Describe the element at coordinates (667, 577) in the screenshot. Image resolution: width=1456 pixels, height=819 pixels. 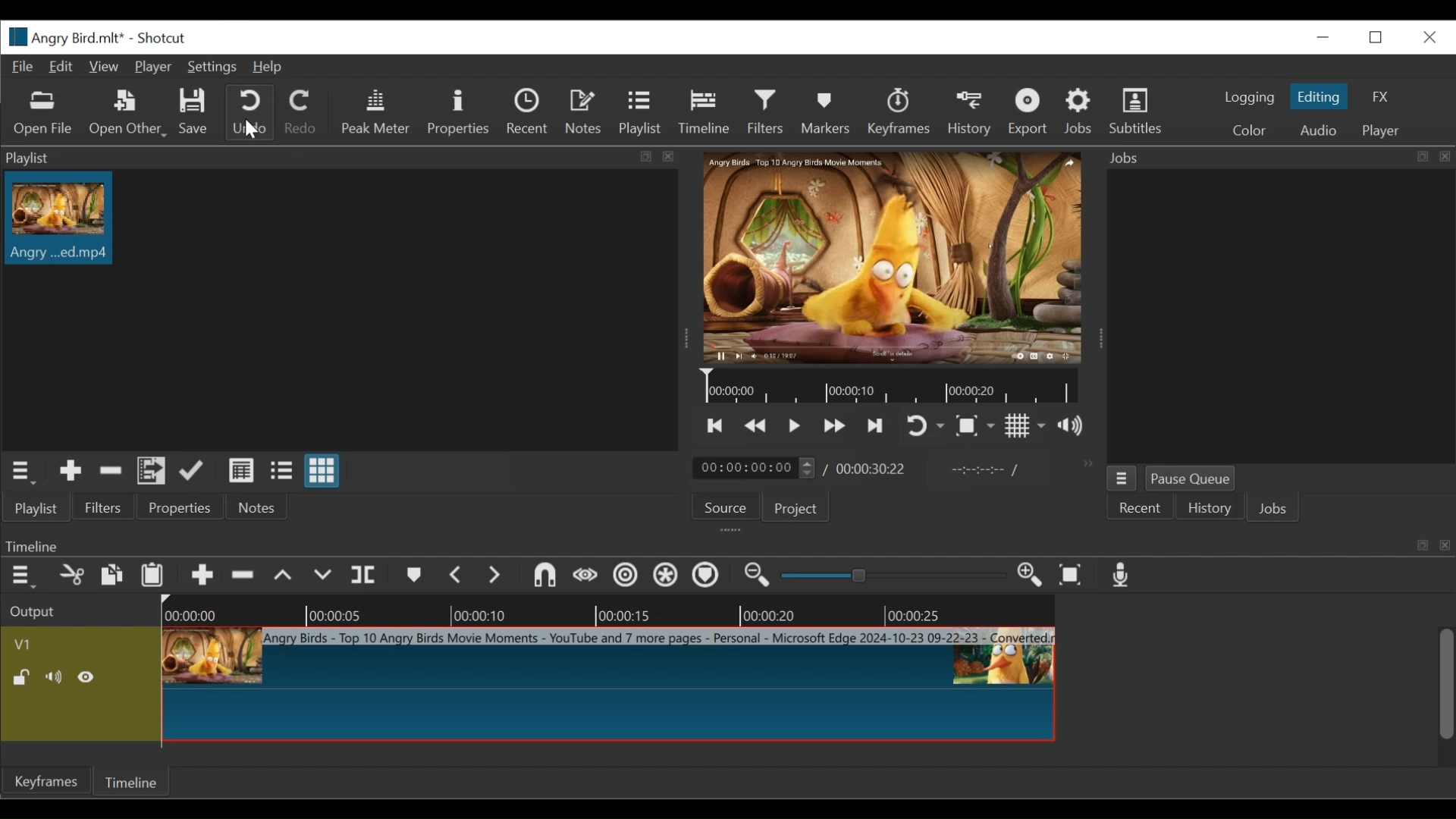
I see `Ripple all tracks` at that location.